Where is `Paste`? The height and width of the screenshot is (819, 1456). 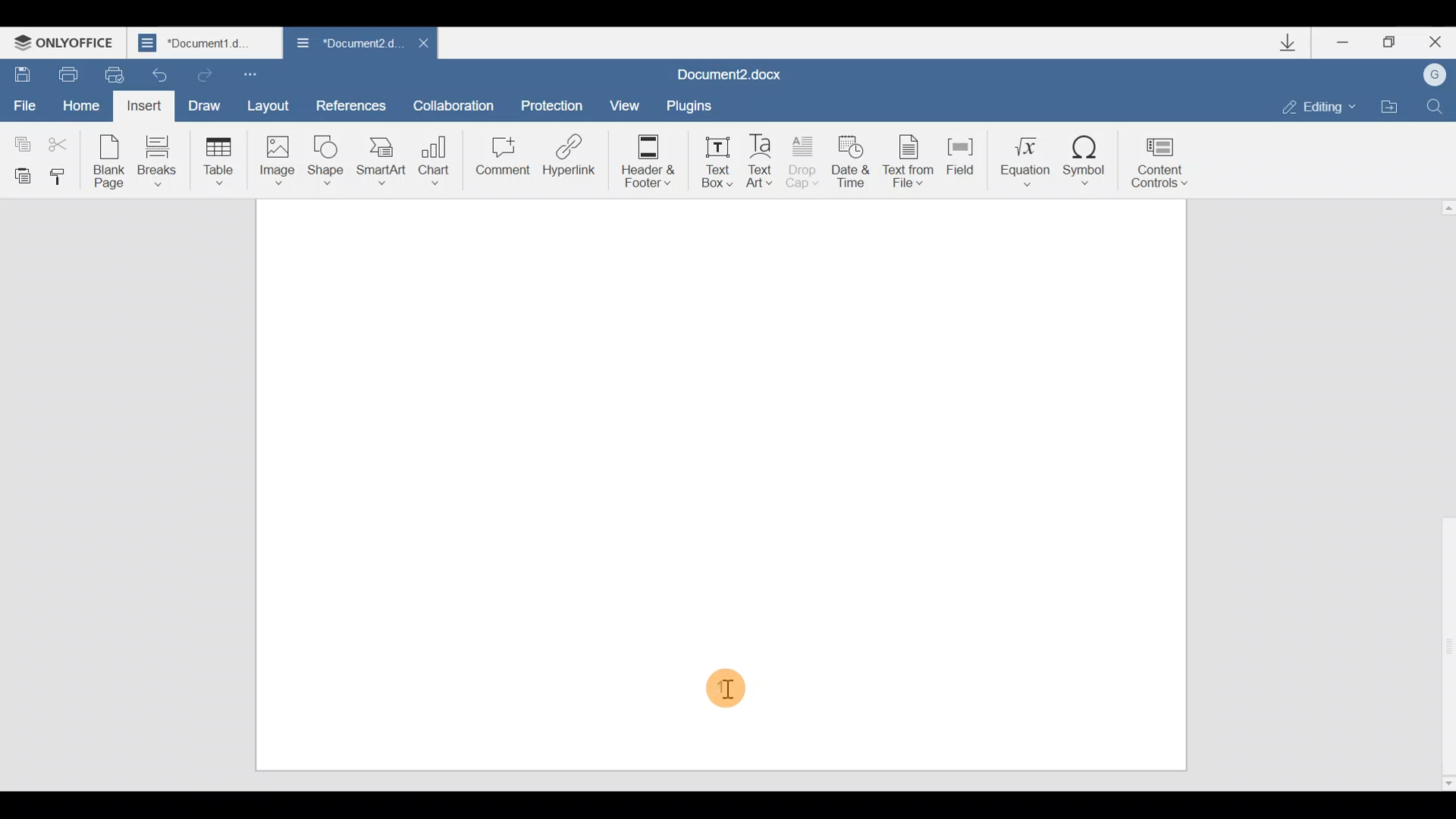 Paste is located at coordinates (20, 174).